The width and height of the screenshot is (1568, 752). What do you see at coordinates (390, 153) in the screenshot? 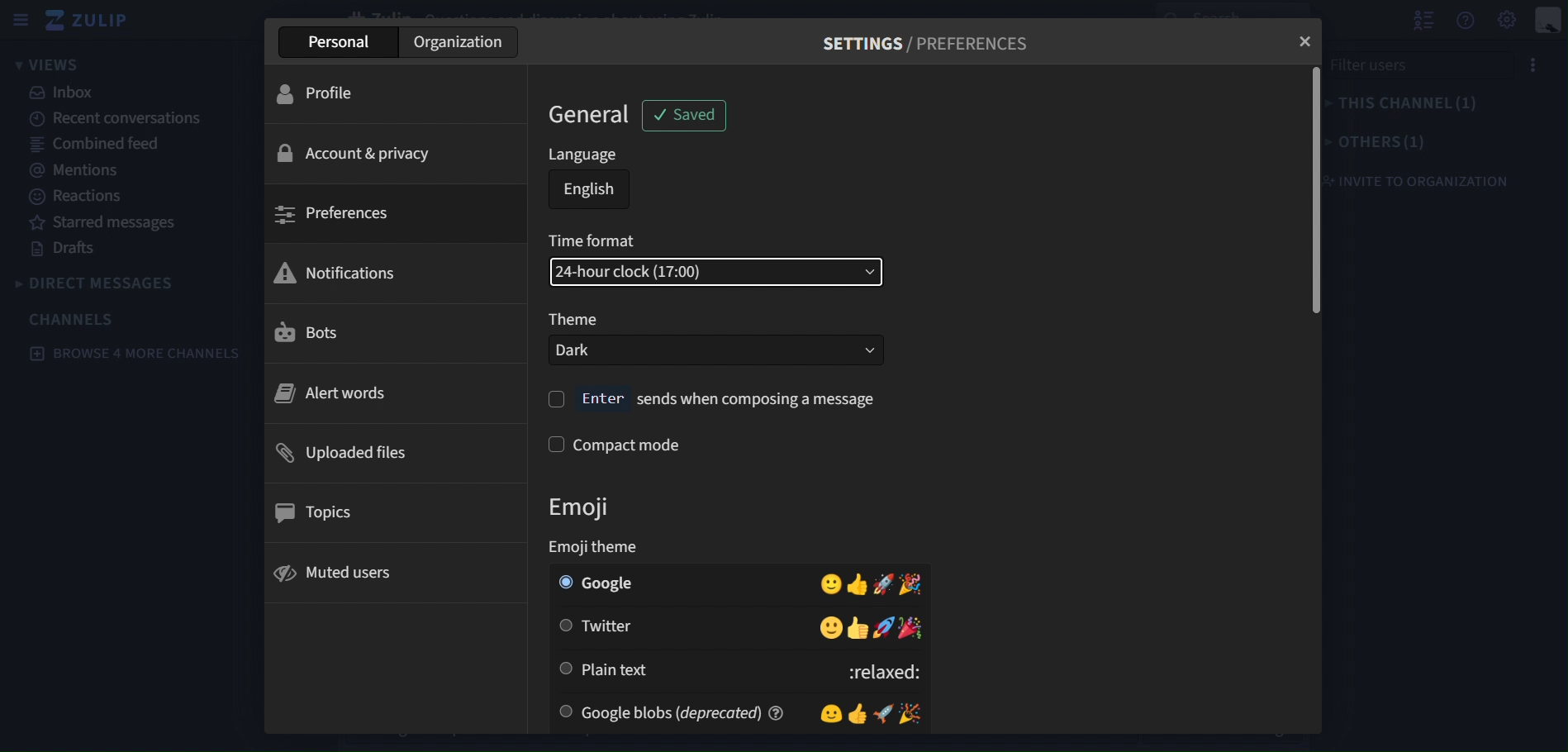
I see `account & privacy` at bounding box center [390, 153].